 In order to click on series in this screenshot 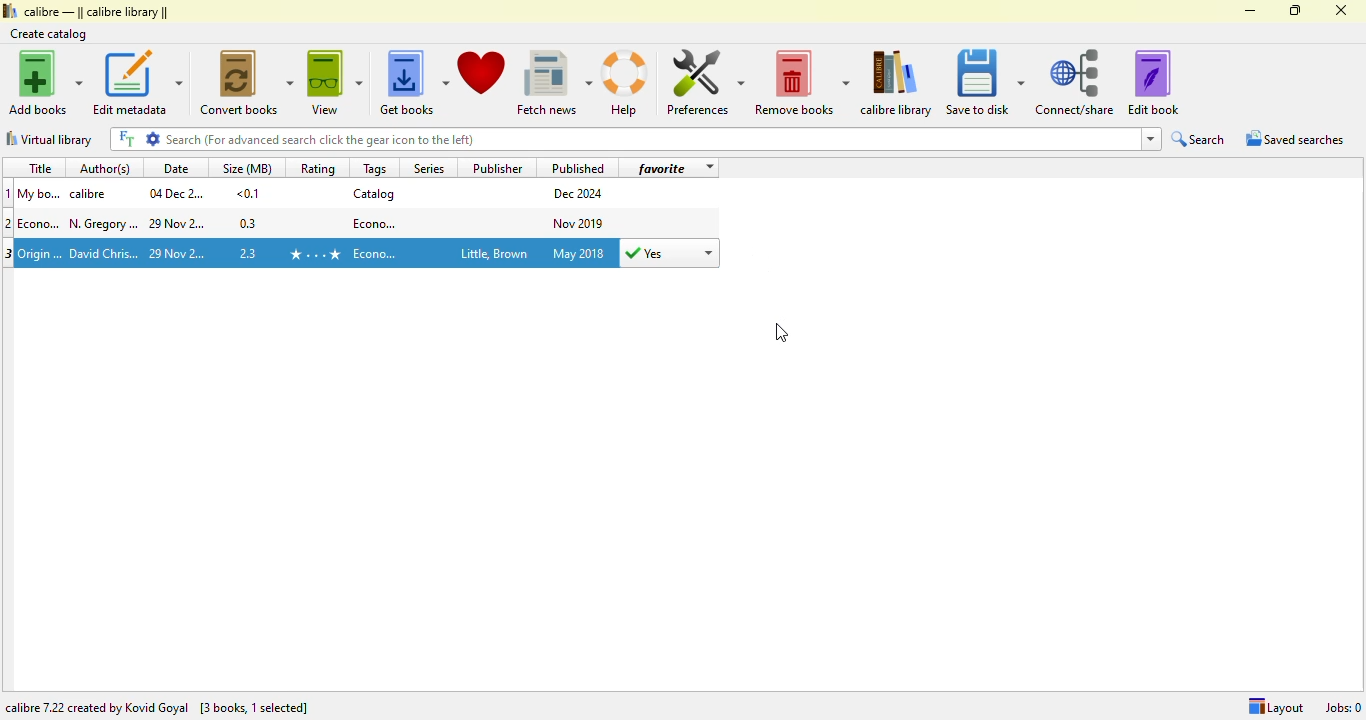, I will do `click(427, 167)`.